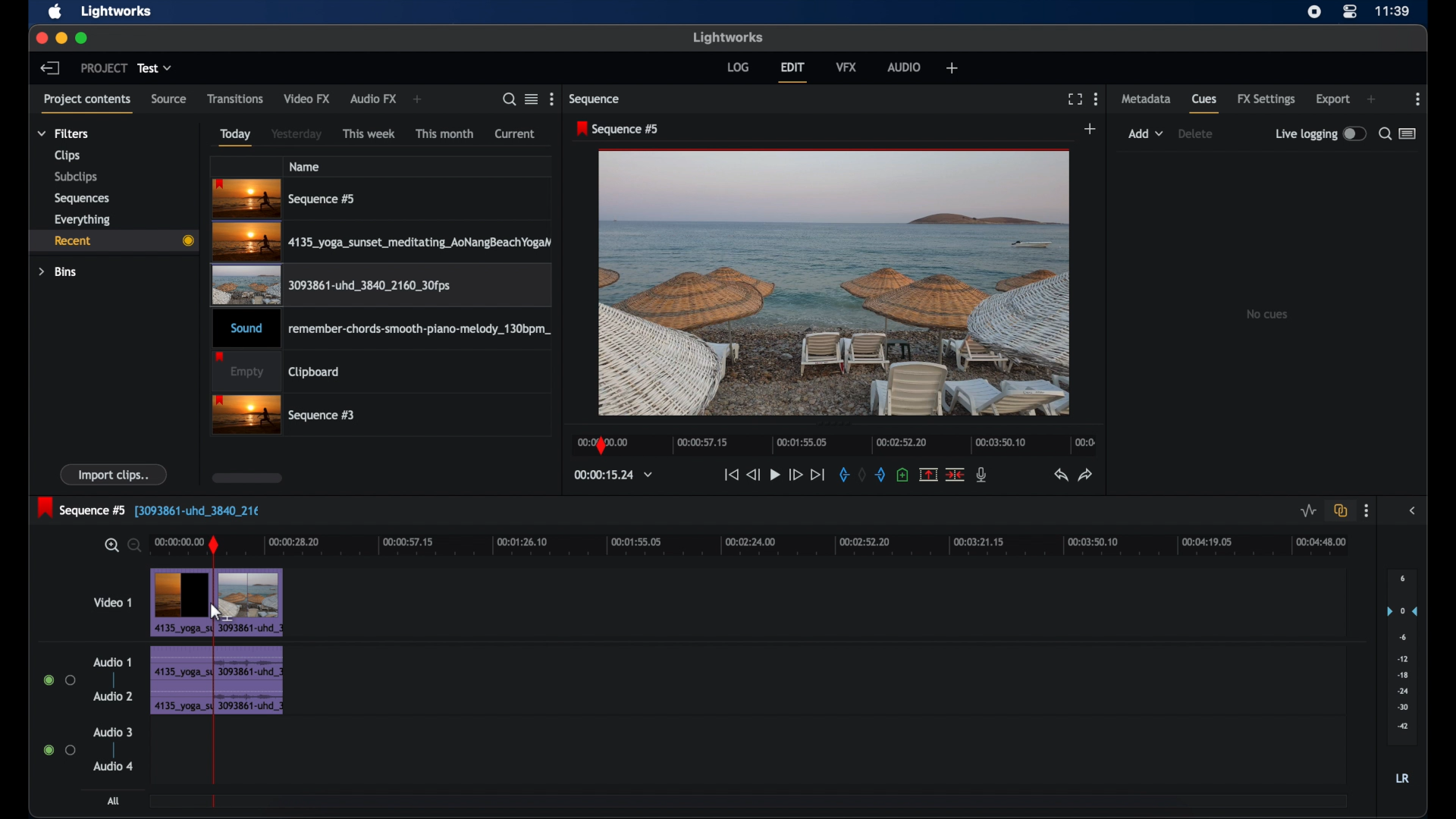 The width and height of the screenshot is (1456, 819). What do you see at coordinates (77, 176) in the screenshot?
I see `subclips` at bounding box center [77, 176].